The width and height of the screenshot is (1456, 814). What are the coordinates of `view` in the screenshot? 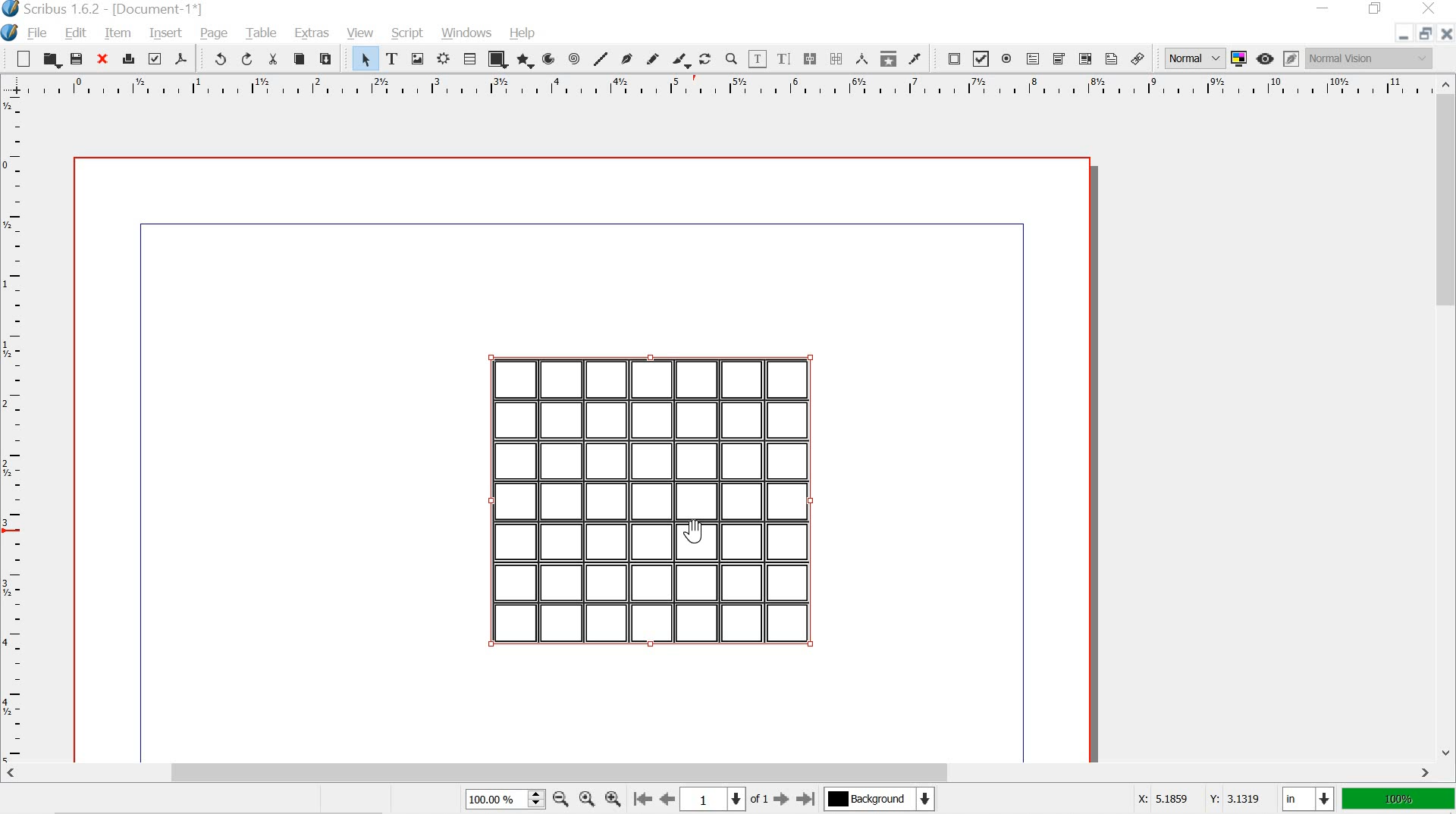 It's located at (361, 33).